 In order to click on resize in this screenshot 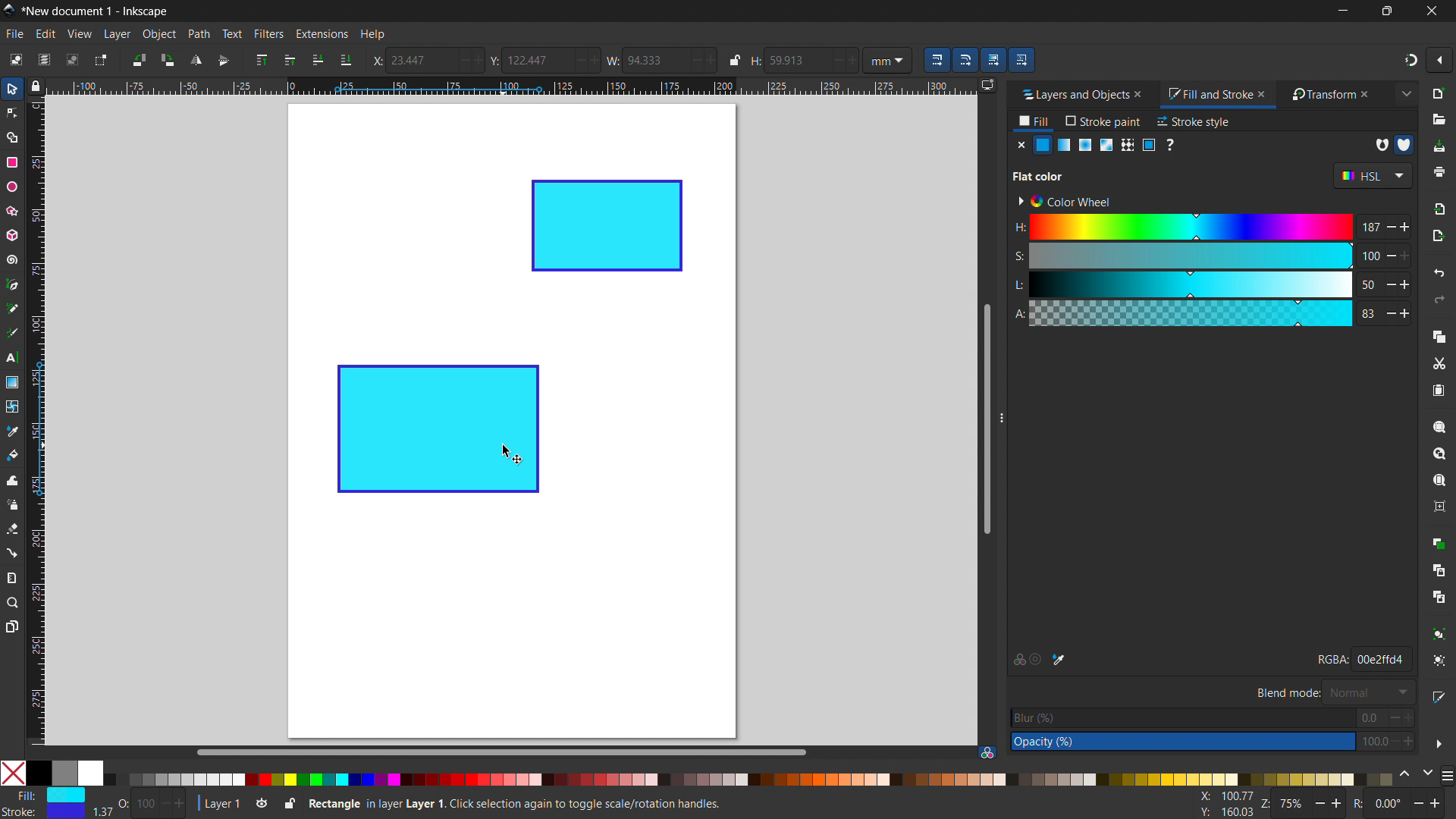, I will do `click(1000, 419)`.